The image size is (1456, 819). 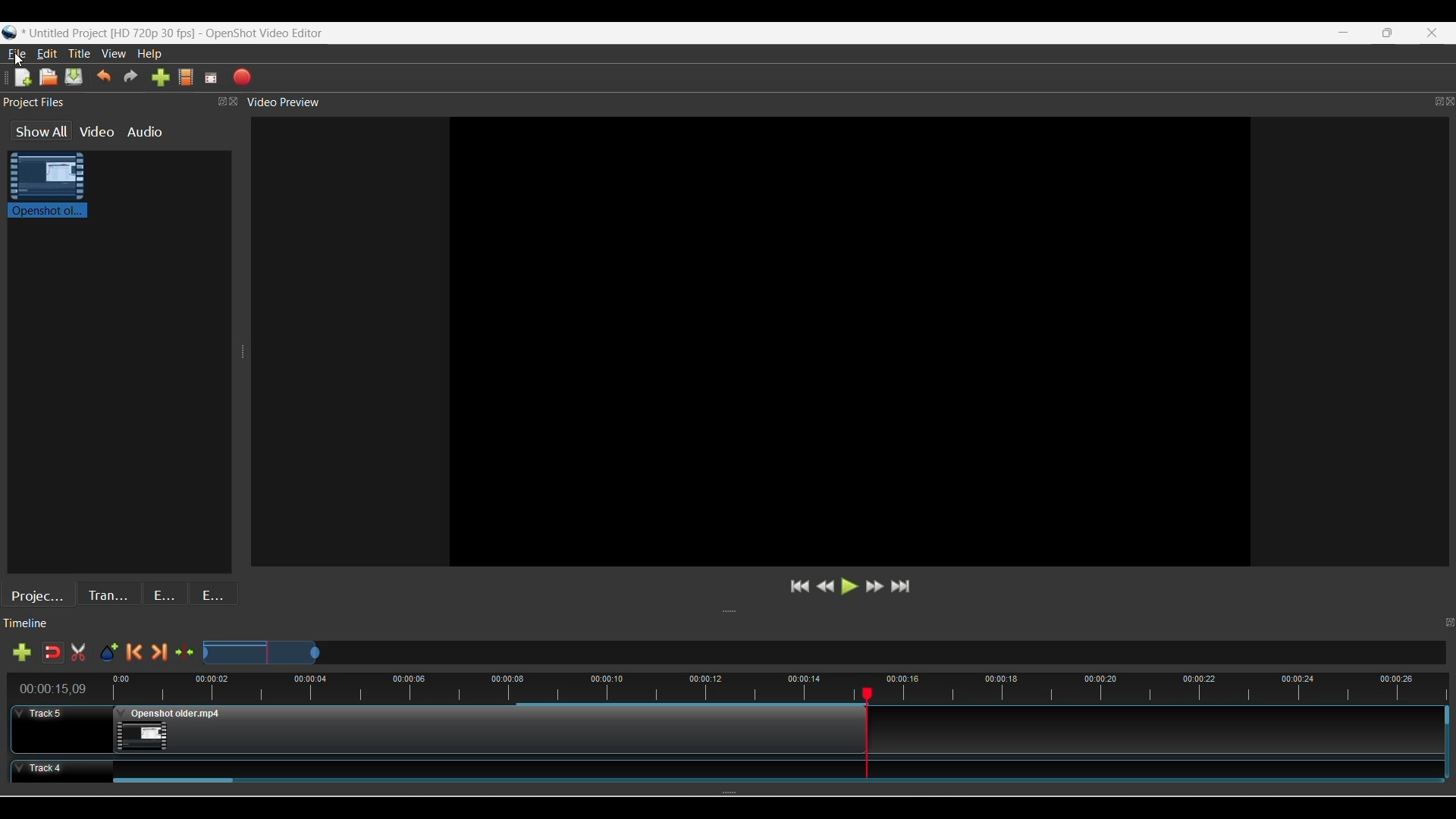 What do you see at coordinates (161, 77) in the screenshot?
I see `Import files` at bounding box center [161, 77].